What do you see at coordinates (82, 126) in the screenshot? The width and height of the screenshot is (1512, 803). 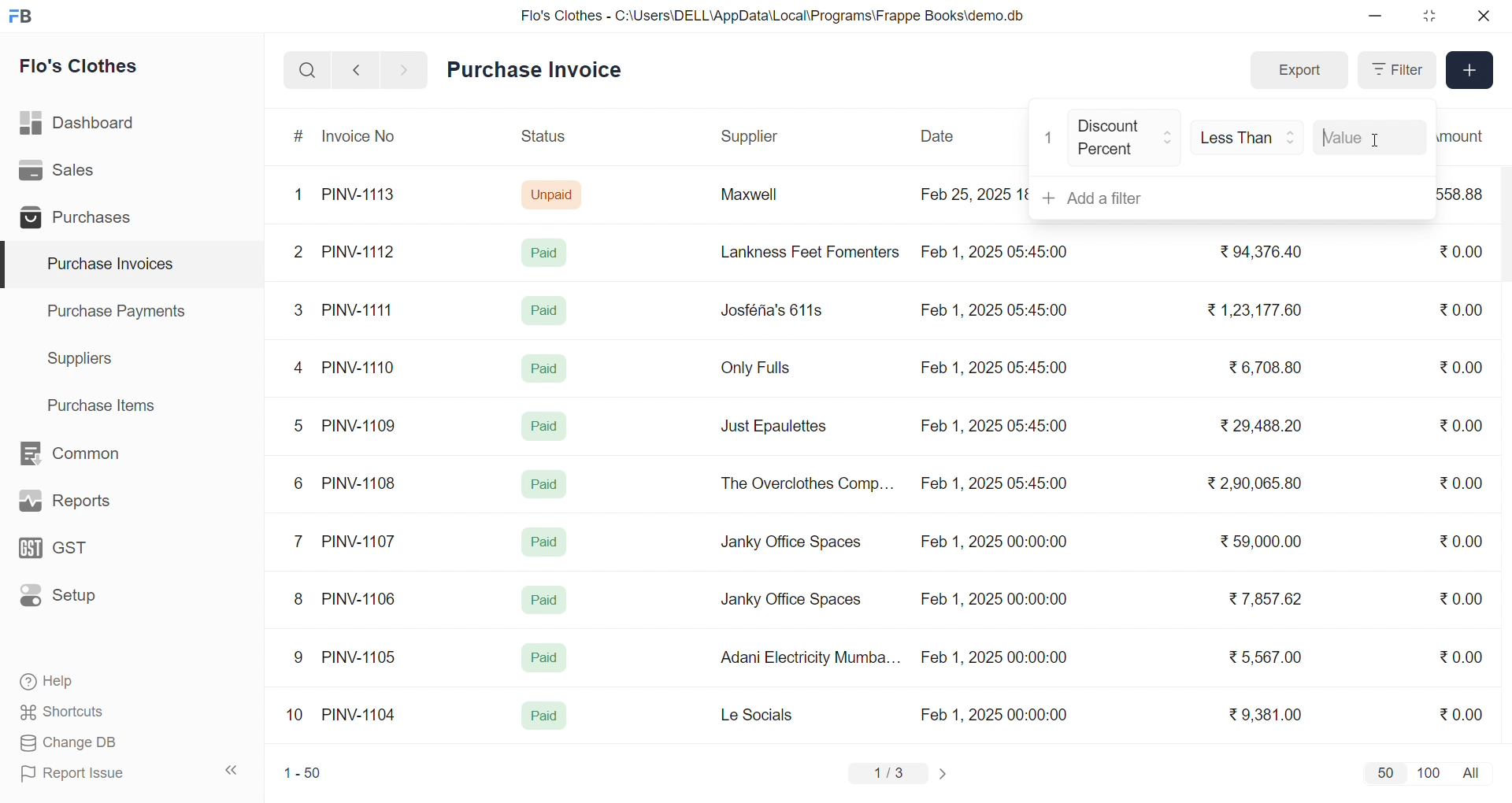 I see `Dashboard` at bounding box center [82, 126].